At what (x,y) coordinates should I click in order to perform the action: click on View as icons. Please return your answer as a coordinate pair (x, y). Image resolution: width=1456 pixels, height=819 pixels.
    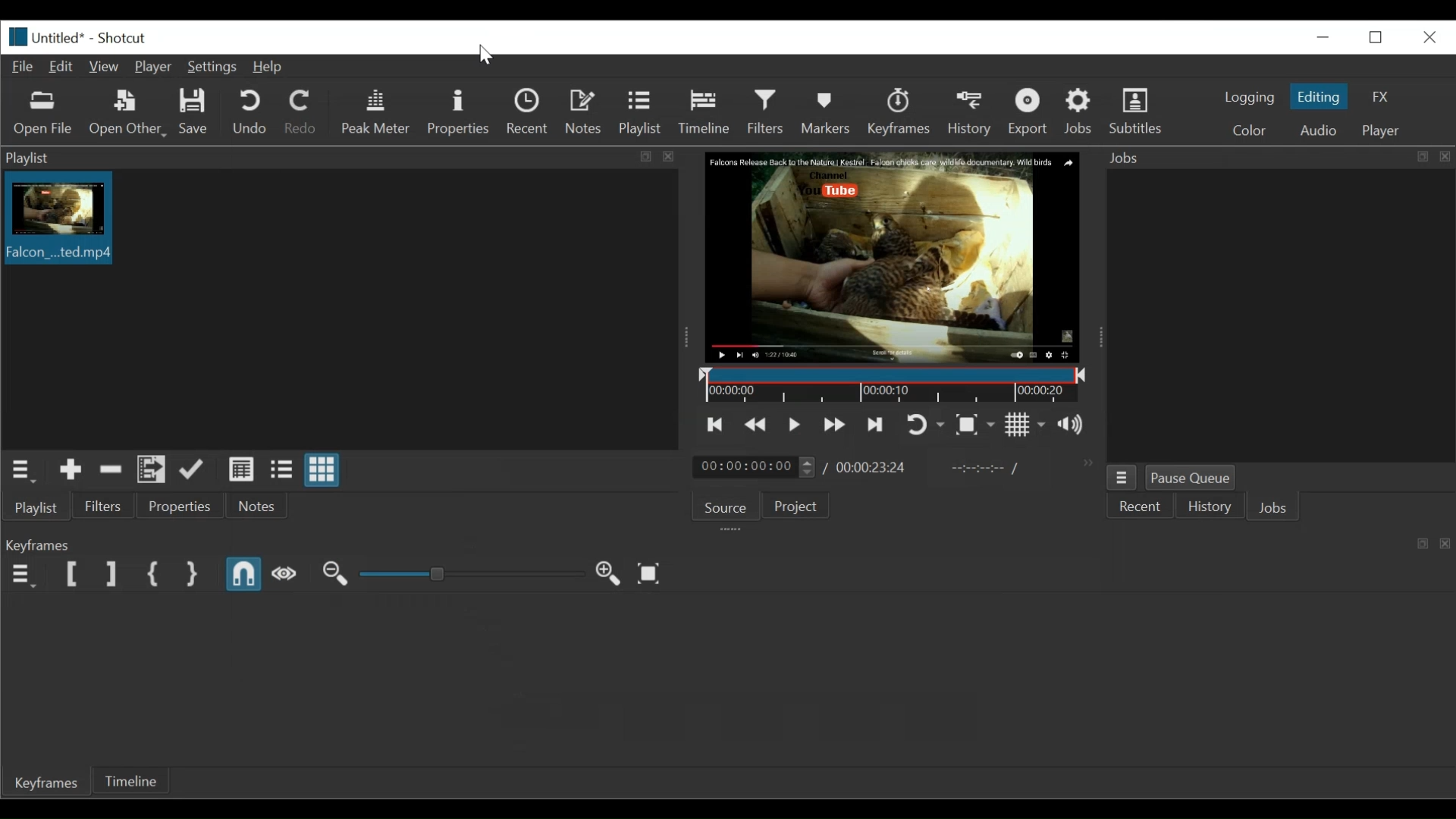
    Looking at the image, I should click on (322, 471).